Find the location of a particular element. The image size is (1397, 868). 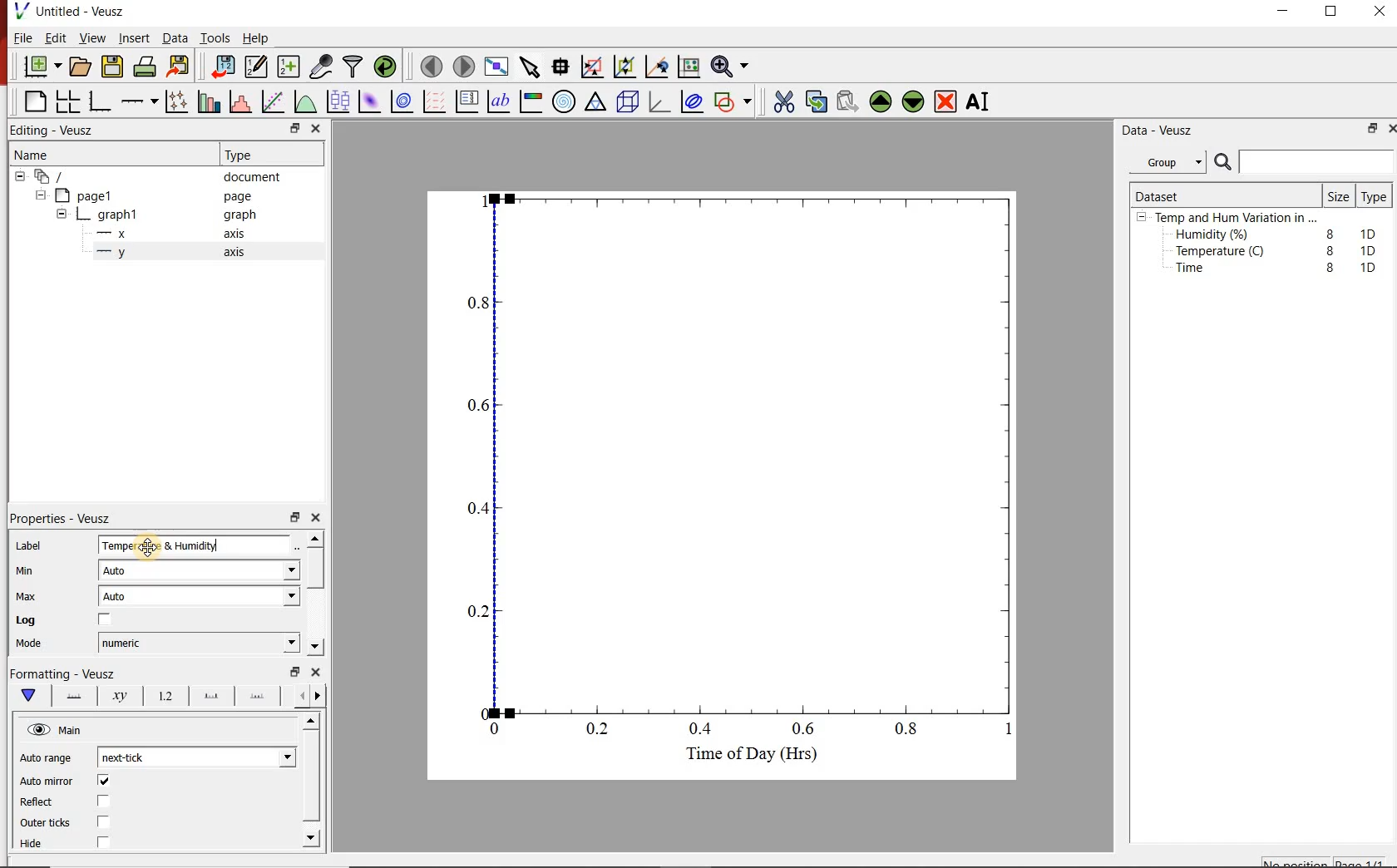

Humidity (%) is located at coordinates (1216, 235).